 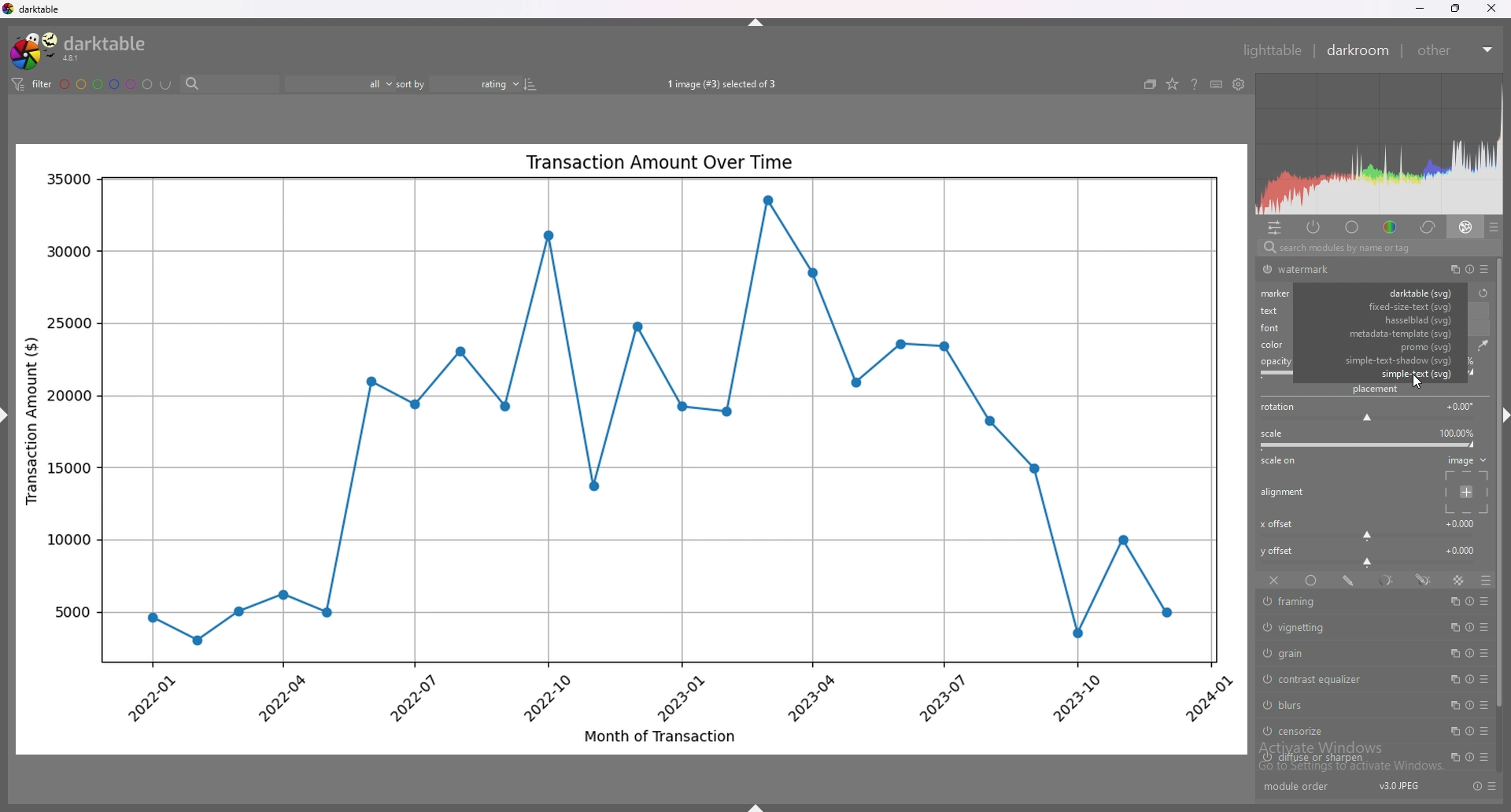 What do you see at coordinates (1386, 307) in the screenshot?
I see `fixed size text svg` at bounding box center [1386, 307].